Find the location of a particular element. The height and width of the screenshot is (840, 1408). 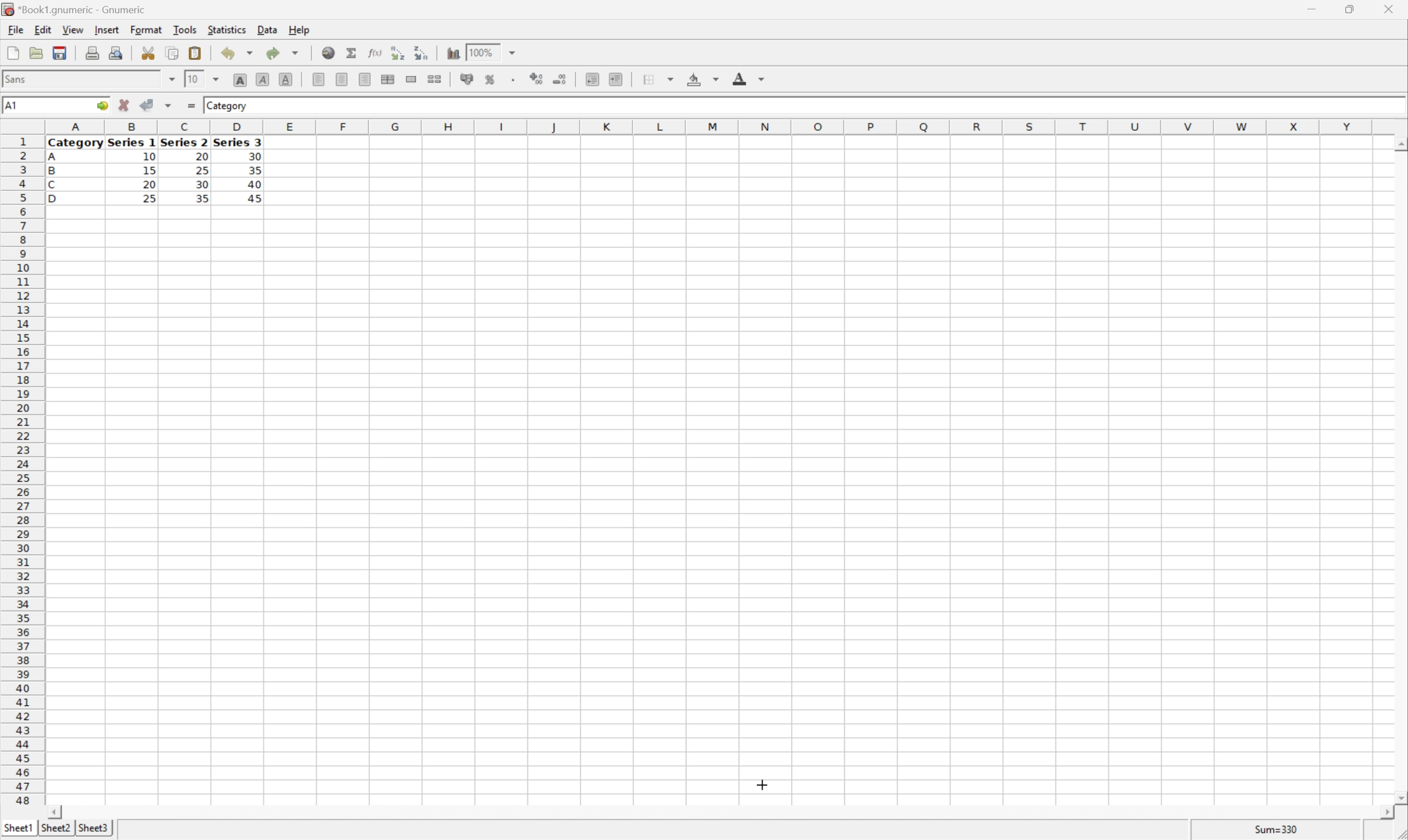

C is located at coordinates (52, 186).